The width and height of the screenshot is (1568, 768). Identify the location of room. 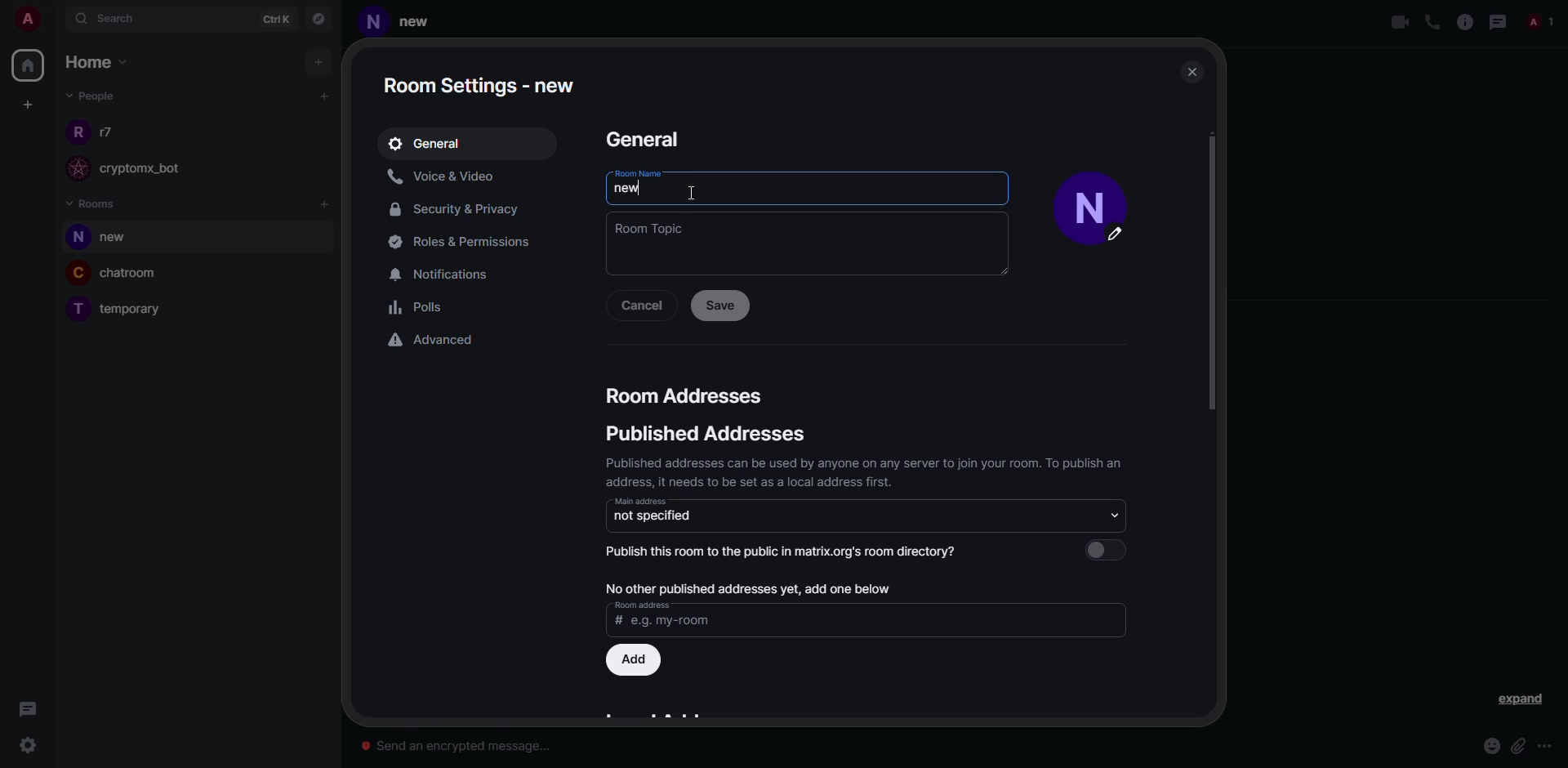
(123, 239).